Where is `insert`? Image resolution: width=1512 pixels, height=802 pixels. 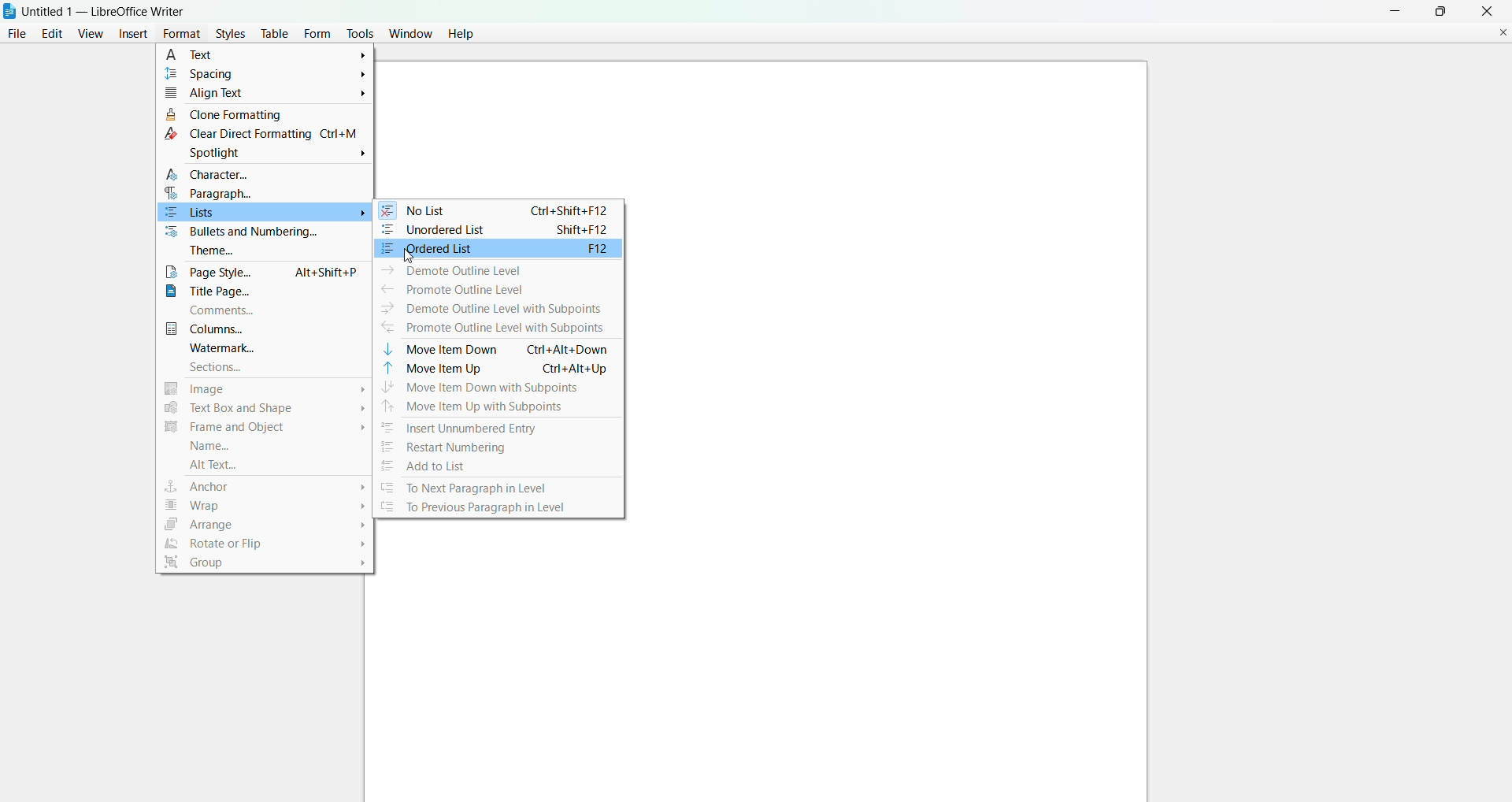 insert is located at coordinates (132, 33).